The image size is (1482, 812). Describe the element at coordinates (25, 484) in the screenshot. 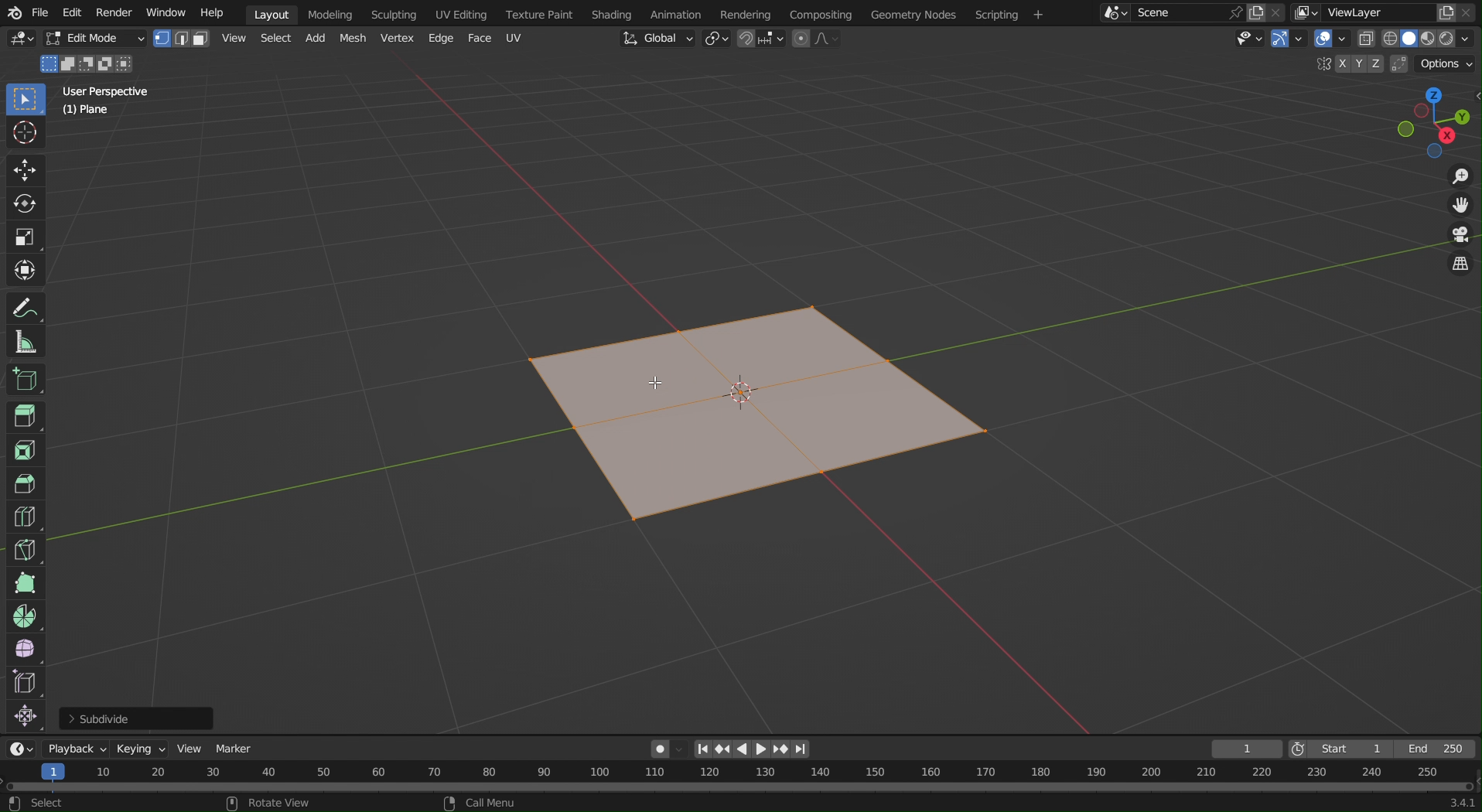

I see `Bevel ` at that location.